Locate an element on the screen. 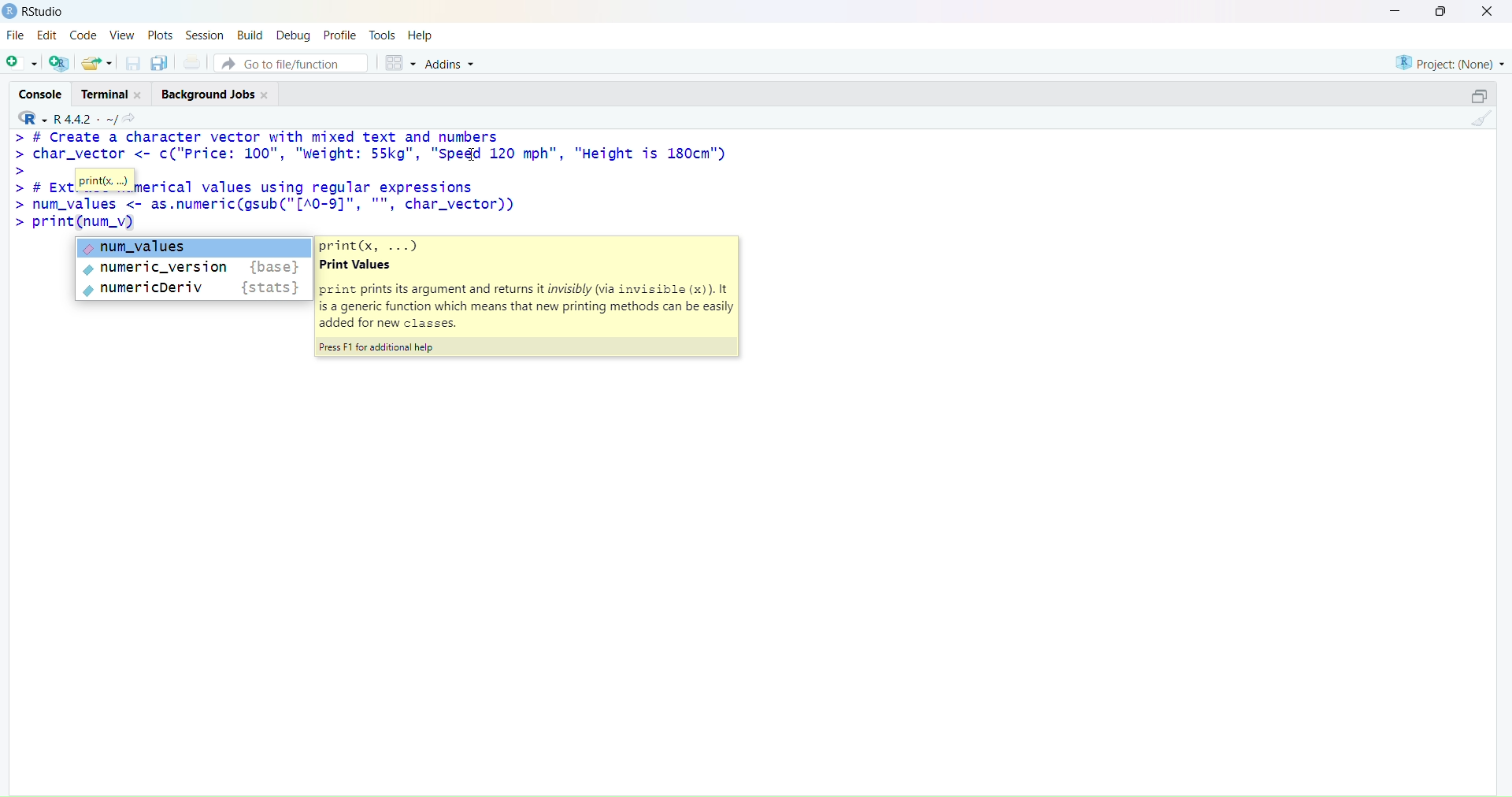 The width and height of the screenshot is (1512, 797). profile is located at coordinates (340, 36).